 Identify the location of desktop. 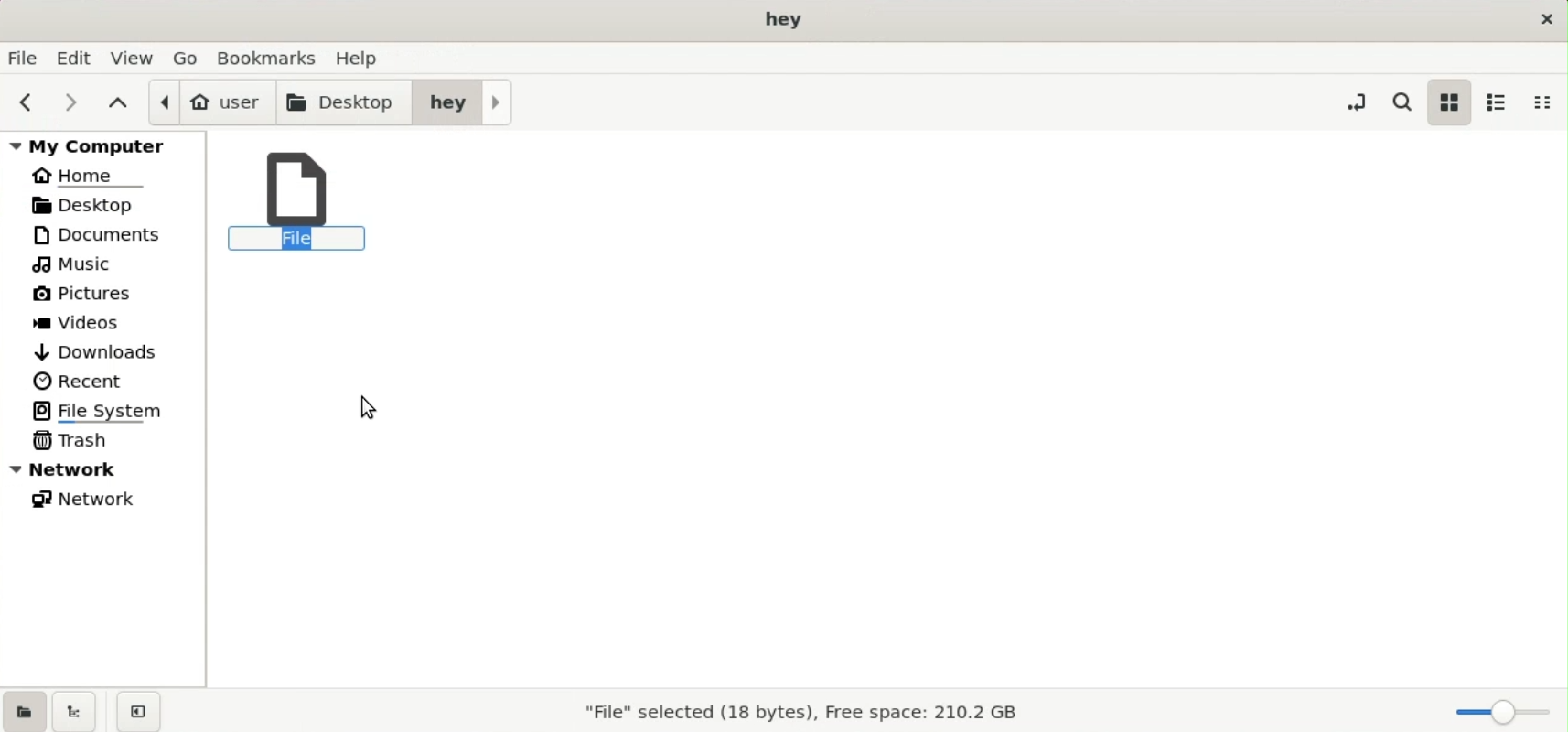
(102, 204).